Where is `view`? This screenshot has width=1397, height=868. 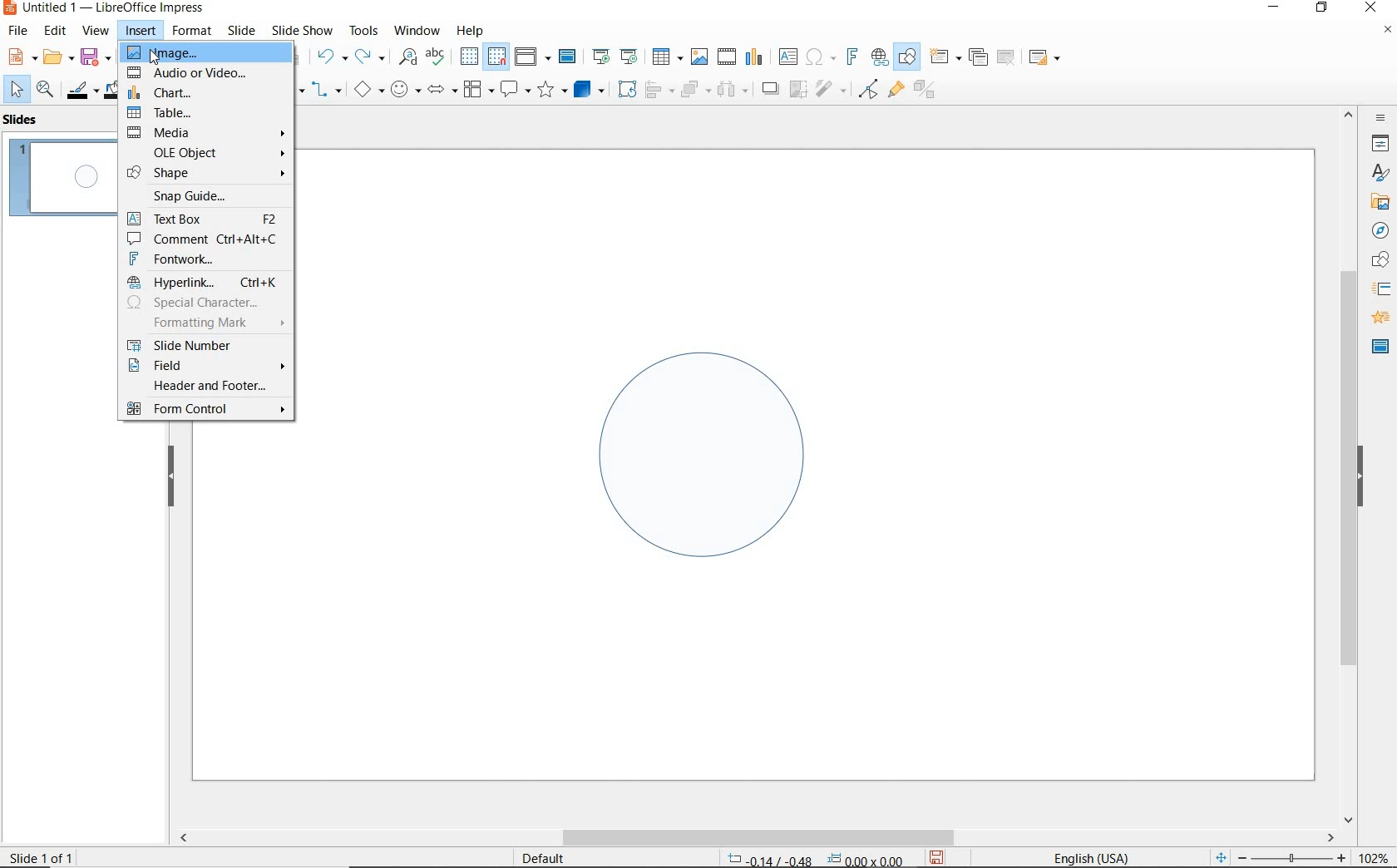 view is located at coordinates (96, 31).